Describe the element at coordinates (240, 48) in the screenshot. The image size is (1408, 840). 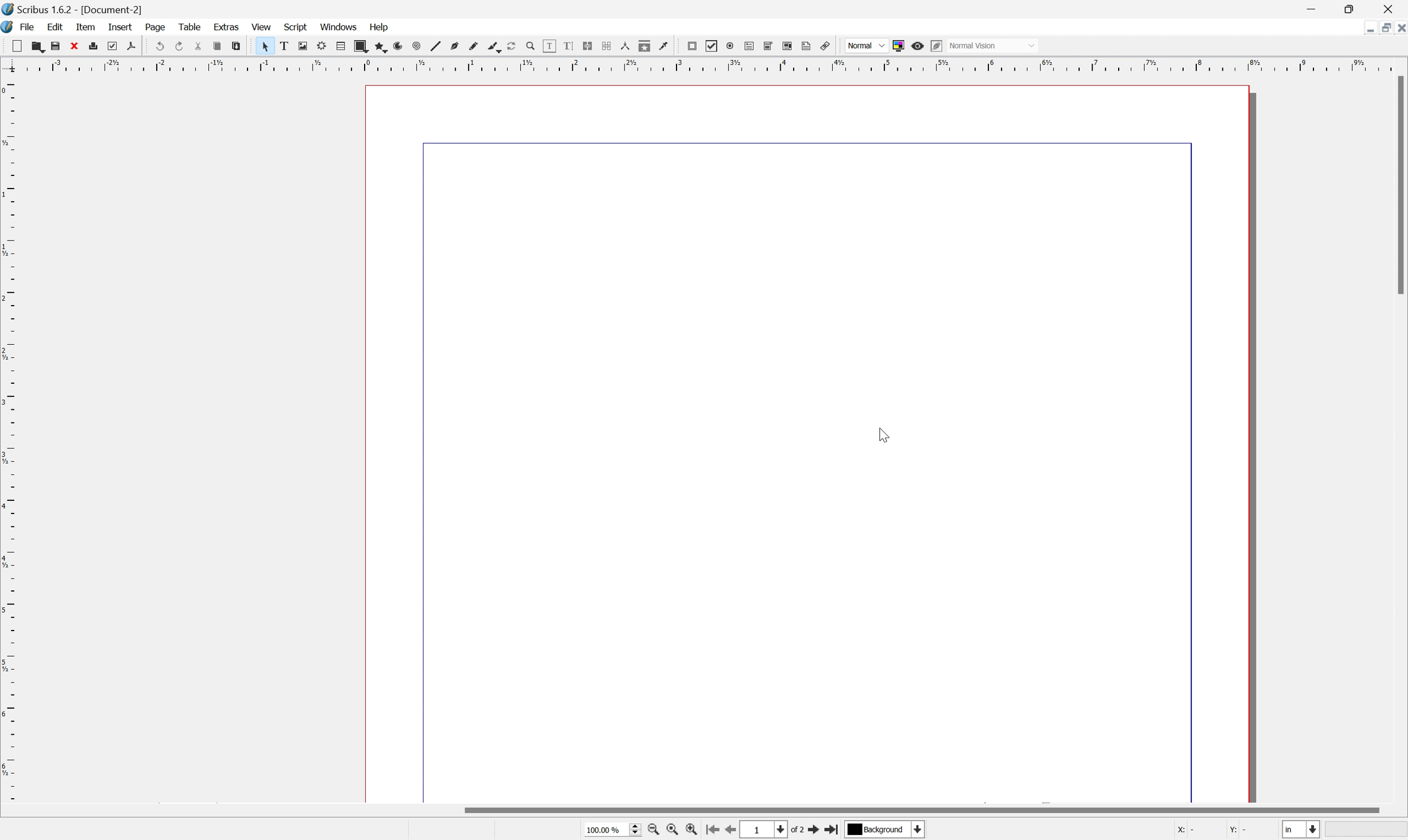
I see `Paste` at that location.